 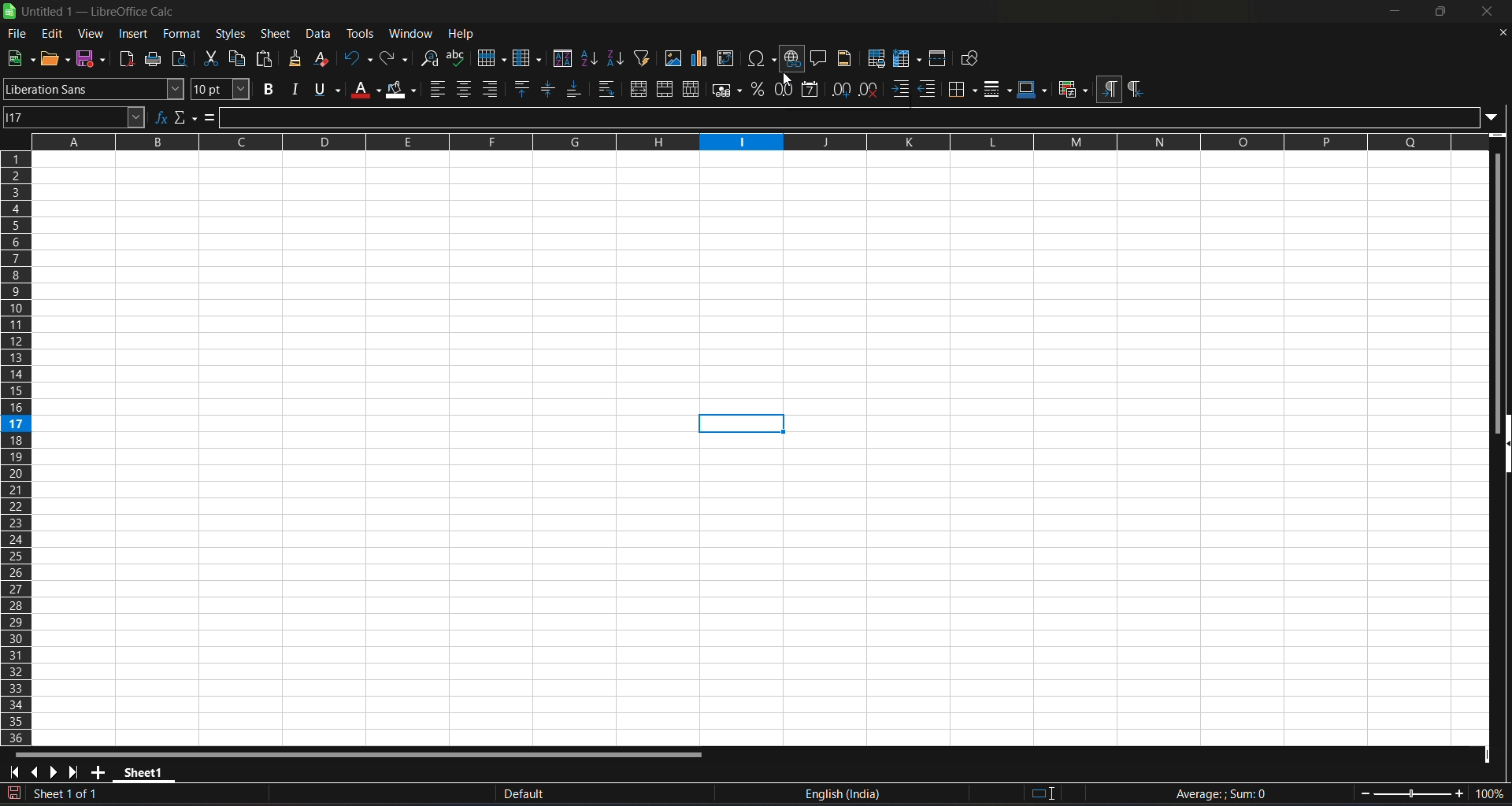 I want to click on insert or edit pivot table, so click(x=728, y=58).